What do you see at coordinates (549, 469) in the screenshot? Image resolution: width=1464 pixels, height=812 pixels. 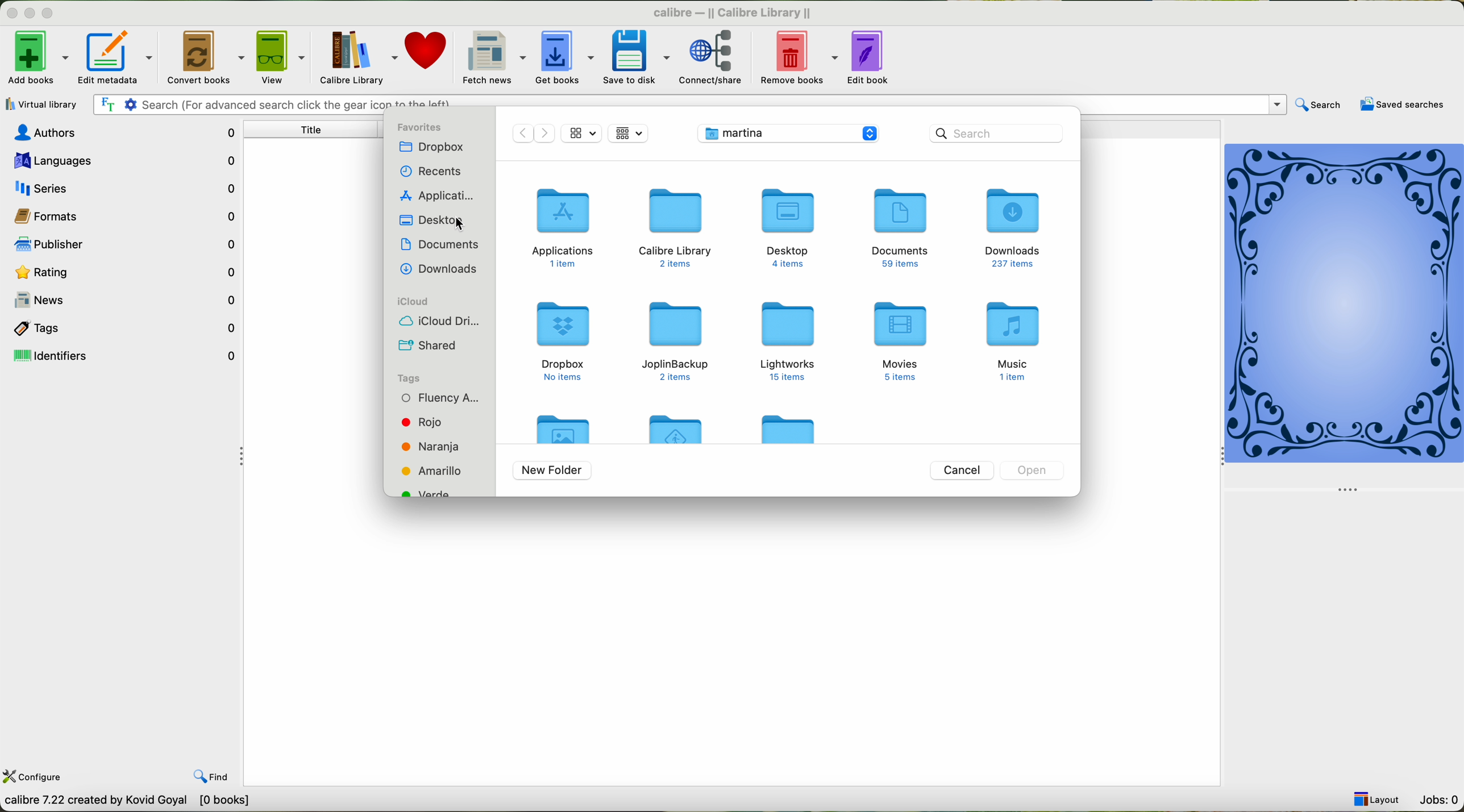 I see `new folder` at bounding box center [549, 469].